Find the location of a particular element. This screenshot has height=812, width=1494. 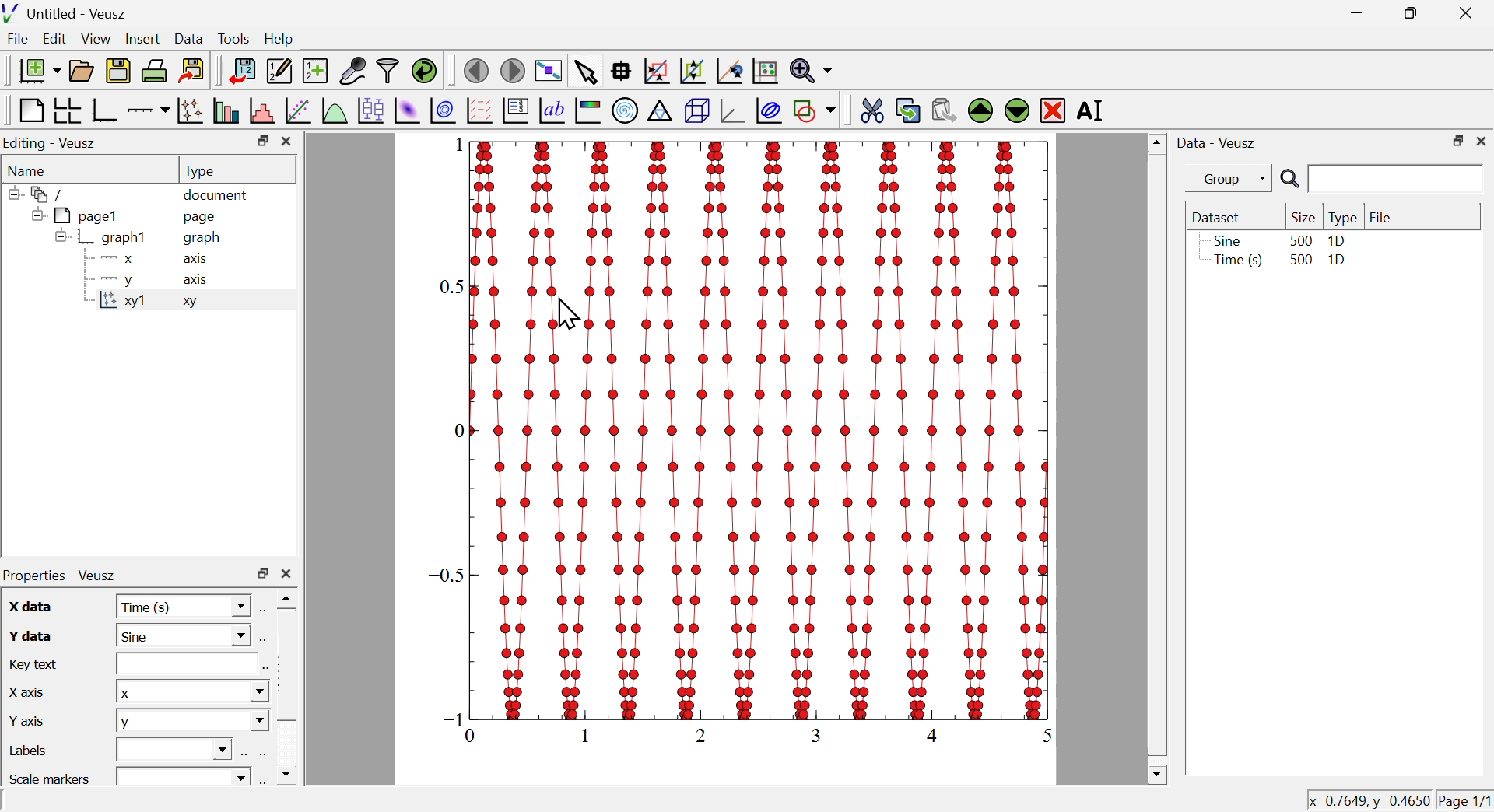

x axis is located at coordinates (26, 690).